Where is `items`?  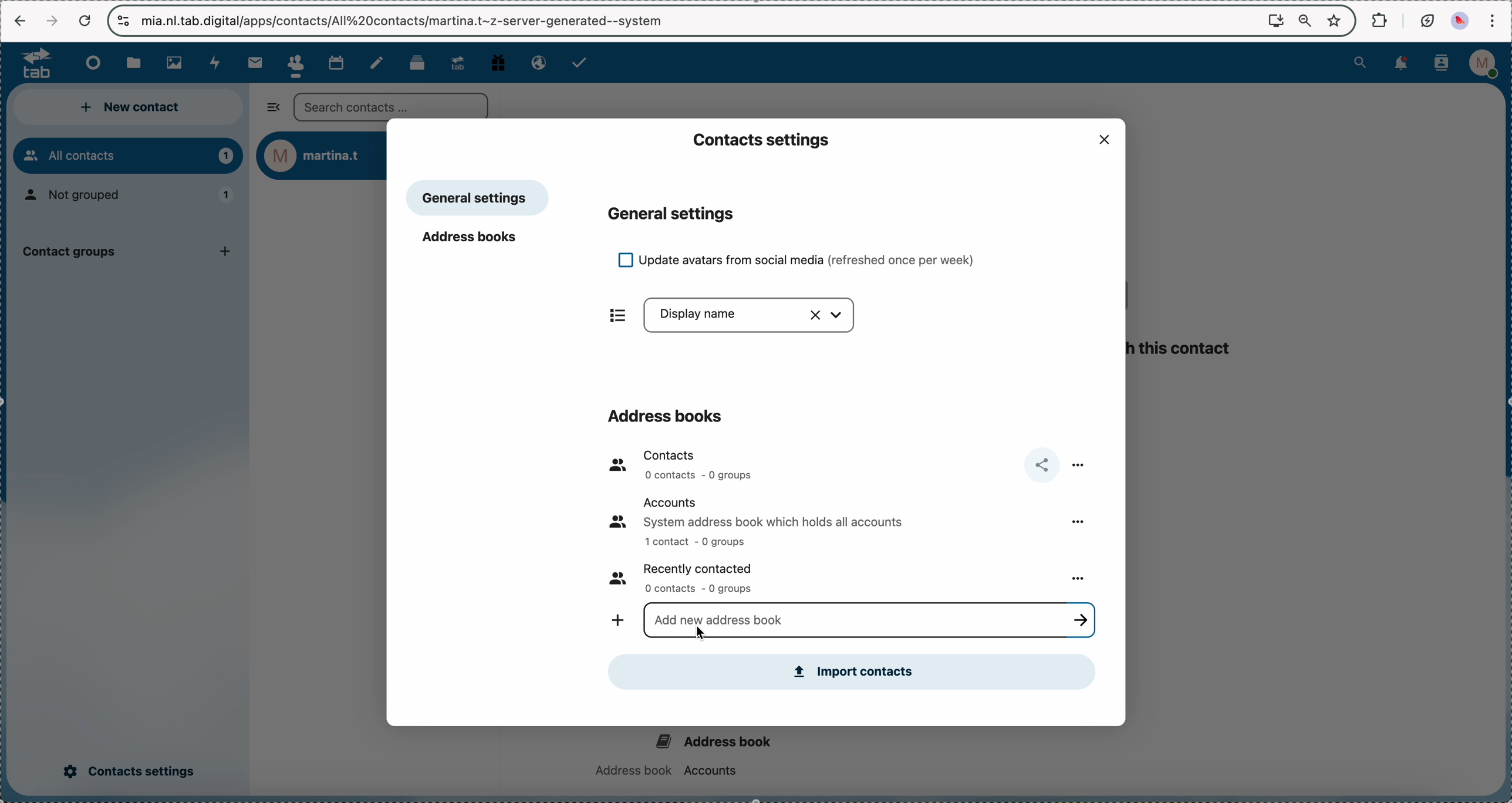
items is located at coordinates (610, 315).